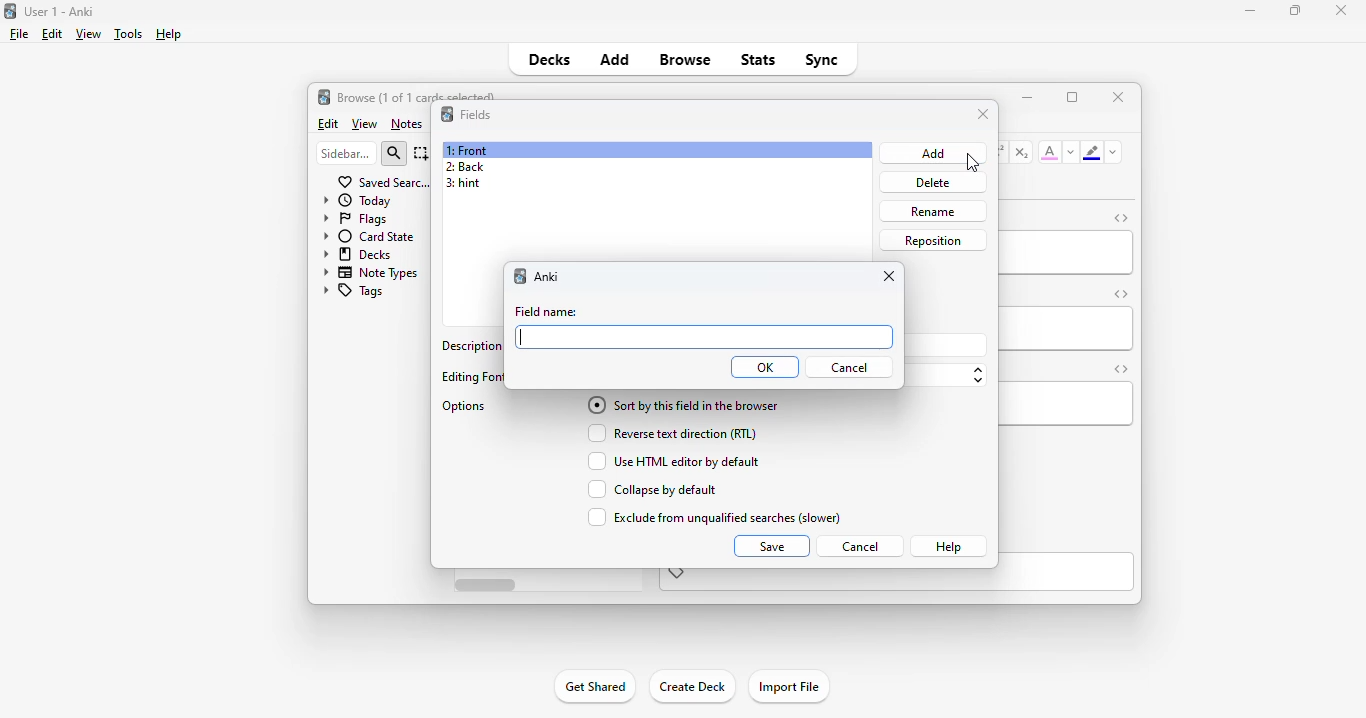 This screenshot has width=1366, height=718. What do you see at coordinates (394, 154) in the screenshot?
I see `search` at bounding box center [394, 154].